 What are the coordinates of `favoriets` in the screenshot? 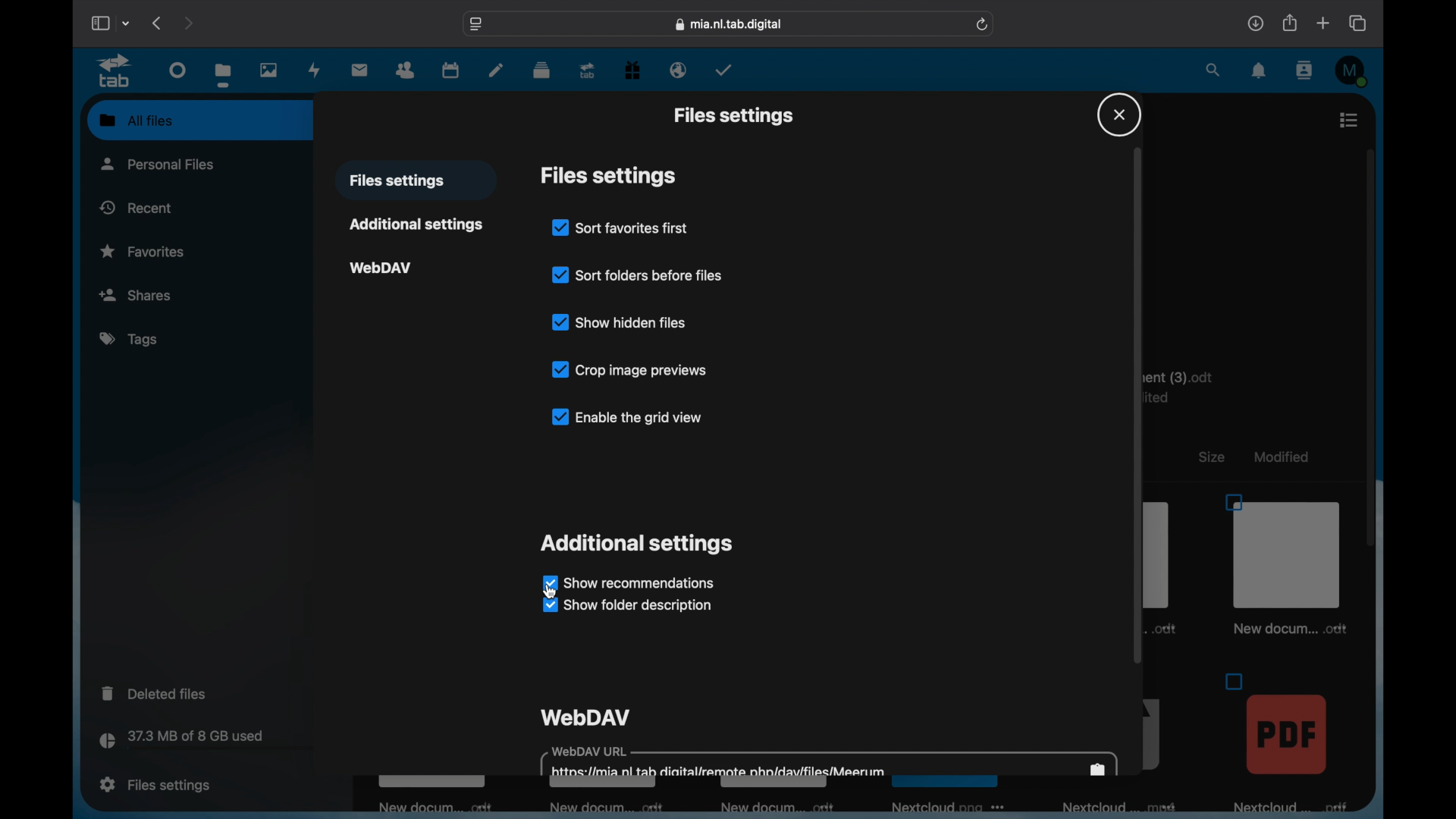 It's located at (144, 250).